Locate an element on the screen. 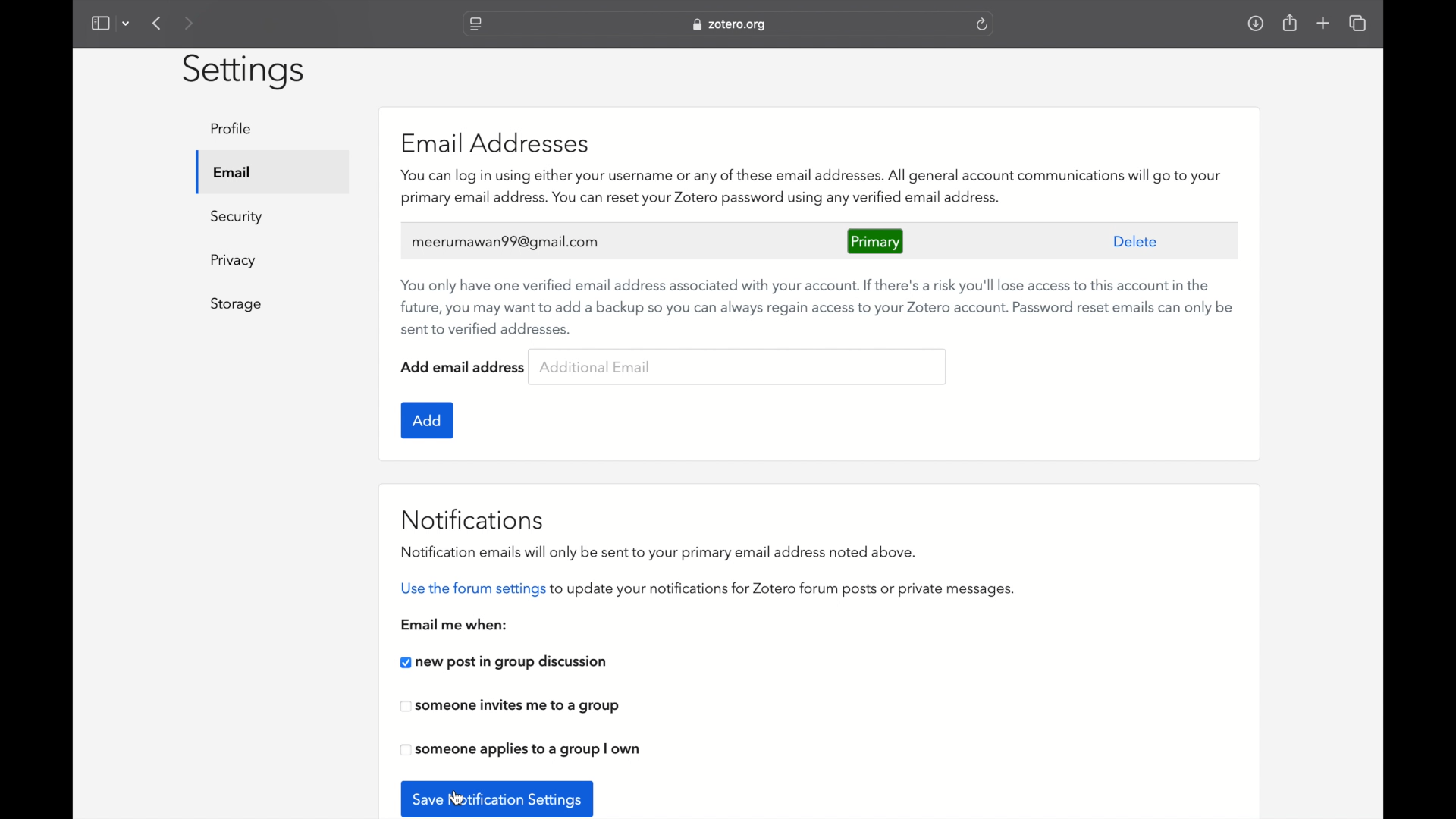 The image size is (1456, 819). profile is located at coordinates (232, 129).